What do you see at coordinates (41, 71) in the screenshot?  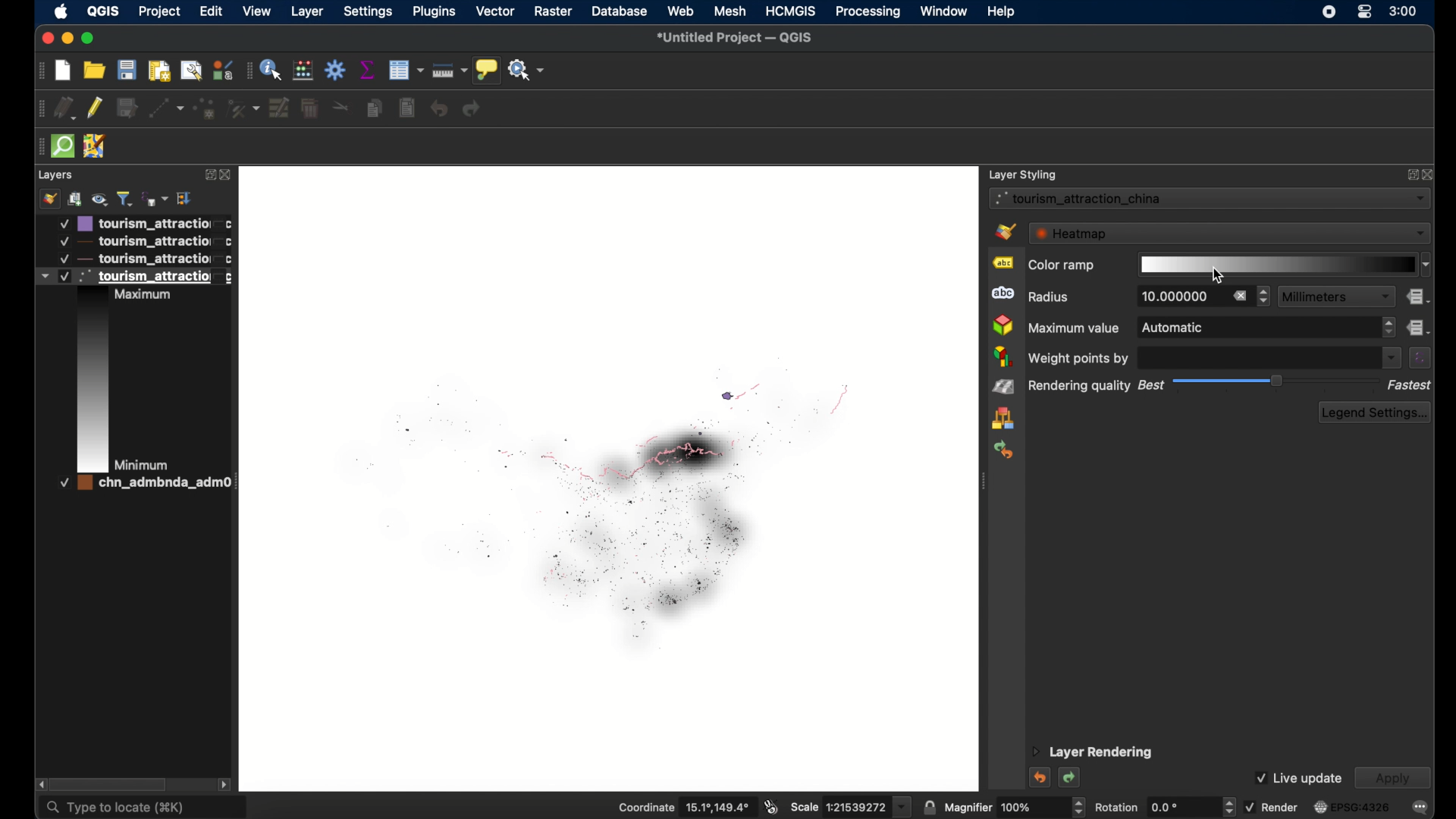 I see `drag handle` at bounding box center [41, 71].